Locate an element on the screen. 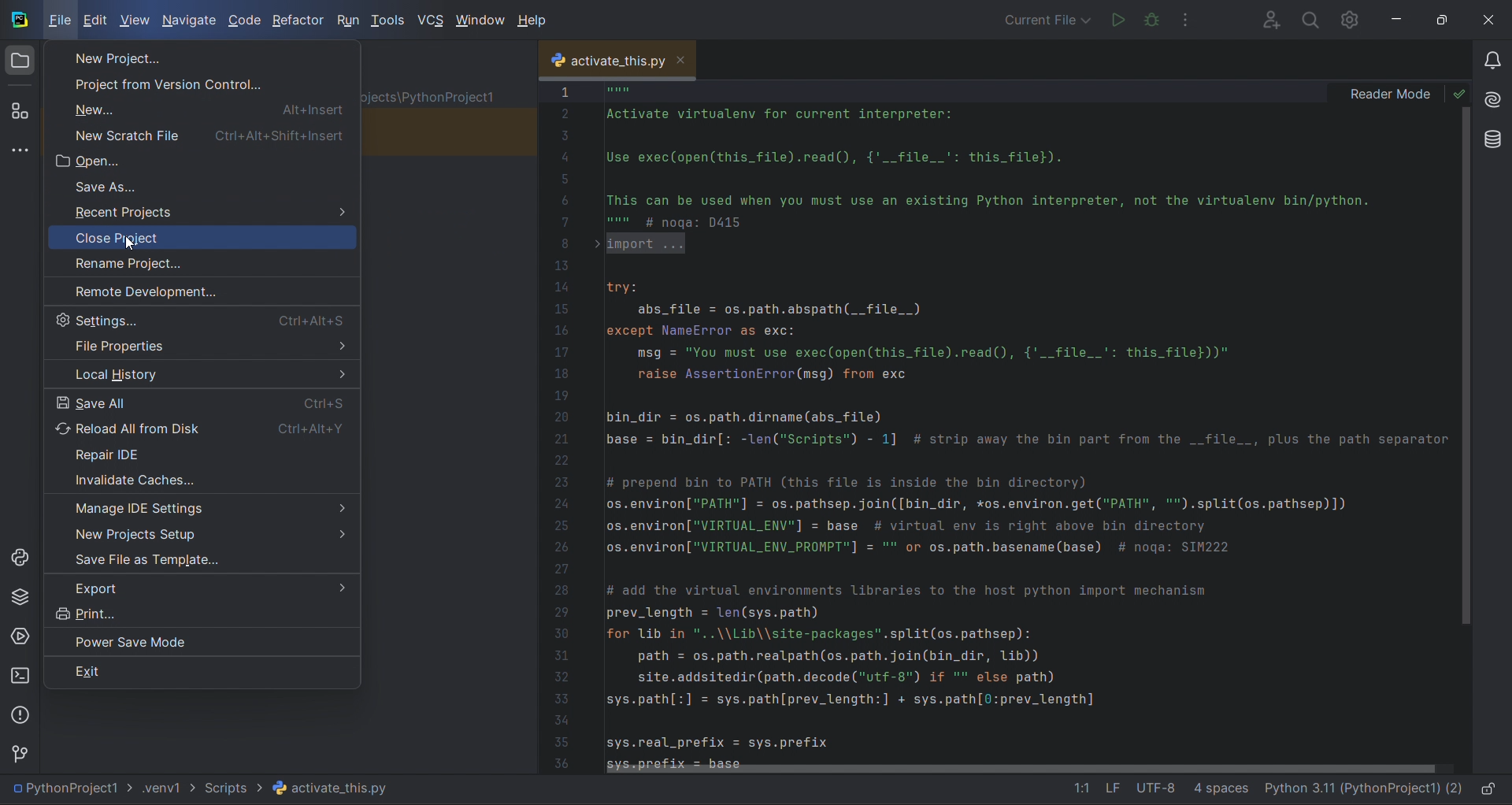 The width and height of the screenshot is (1512, 805). vertical scroll bar is located at coordinates (1468, 366).